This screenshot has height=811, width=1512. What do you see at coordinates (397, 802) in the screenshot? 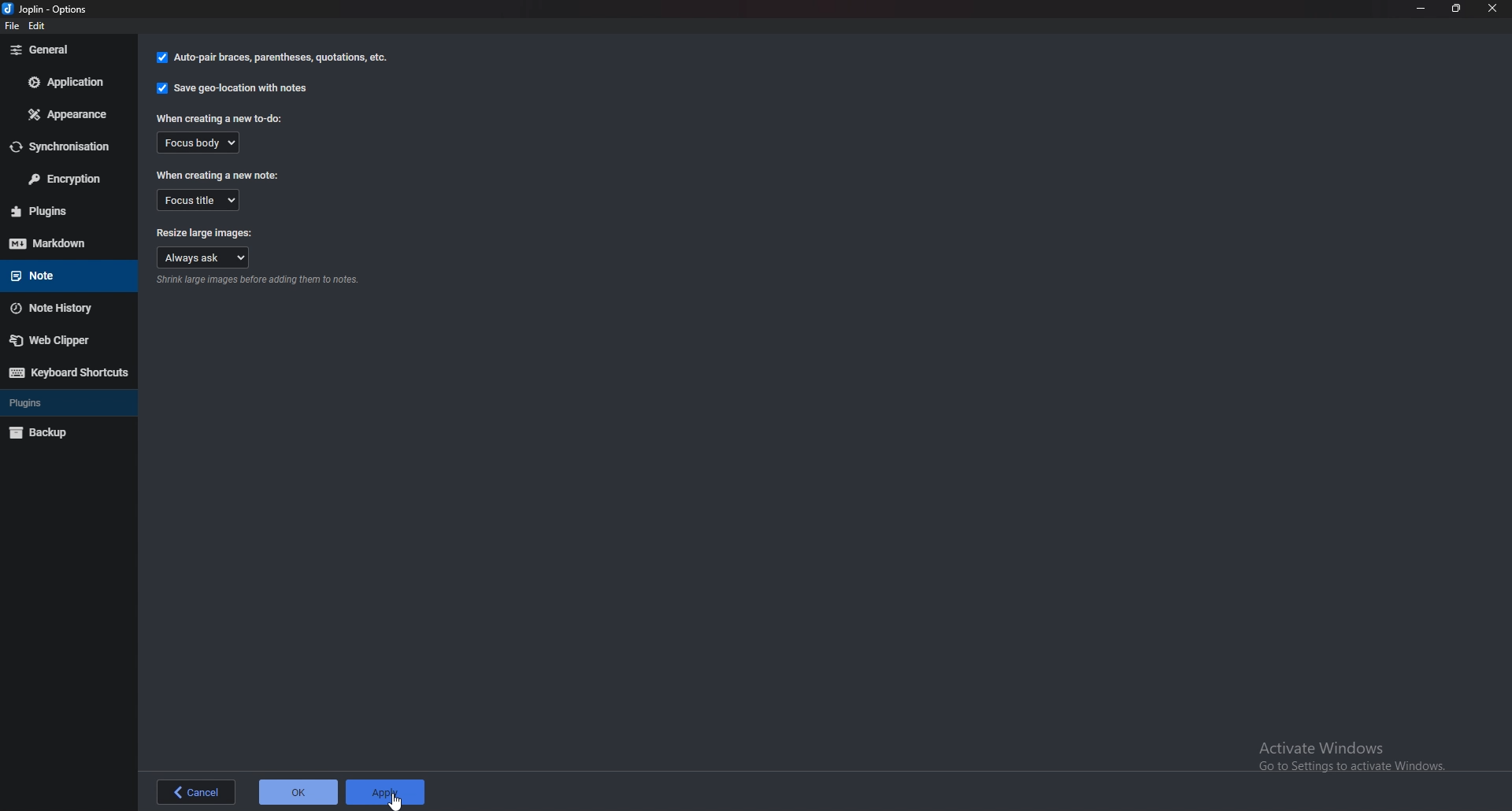
I see `cursor` at bounding box center [397, 802].